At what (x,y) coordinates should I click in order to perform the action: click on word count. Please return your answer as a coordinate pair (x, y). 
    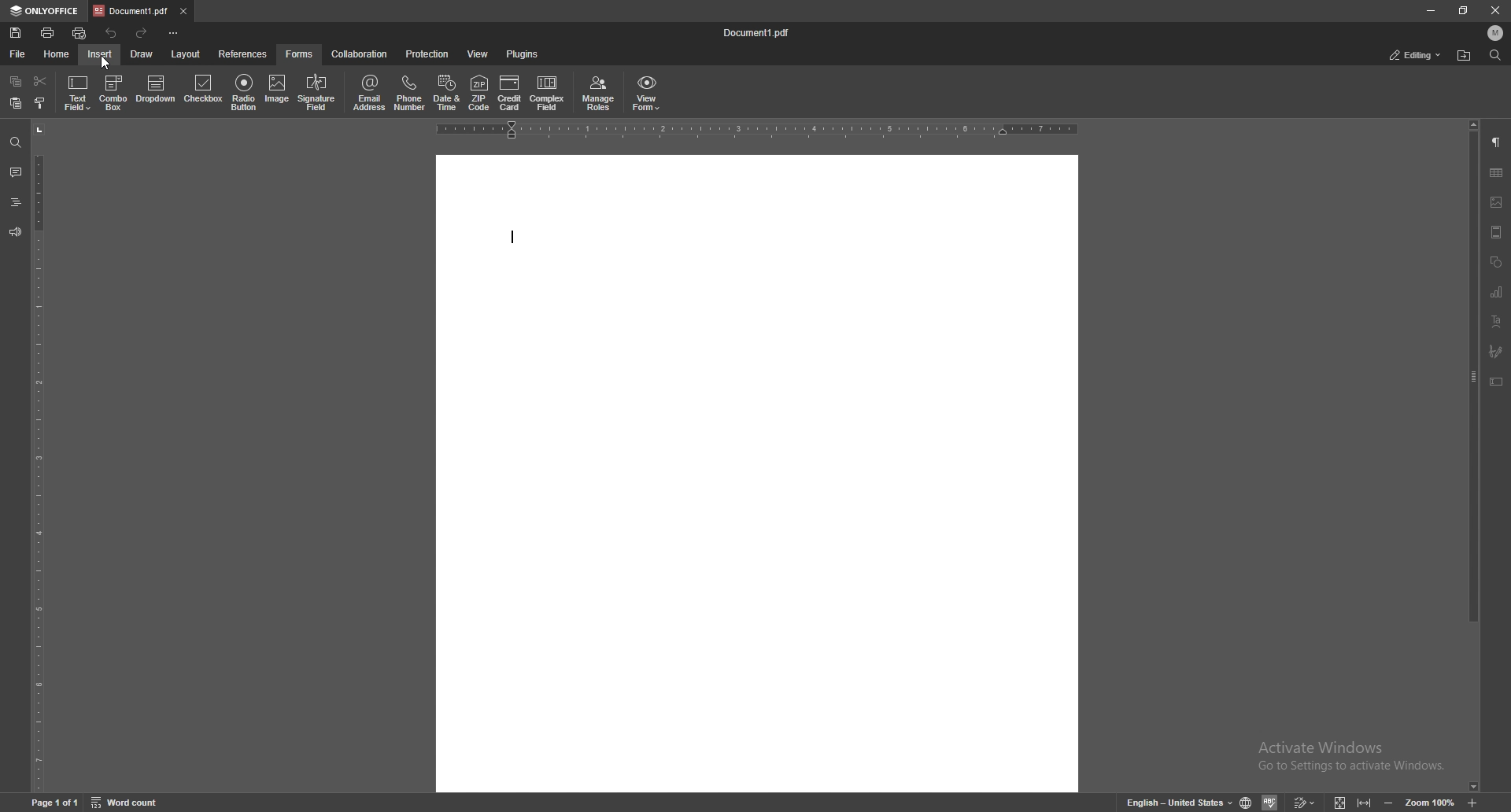
    Looking at the image, I should click on (124, 803).